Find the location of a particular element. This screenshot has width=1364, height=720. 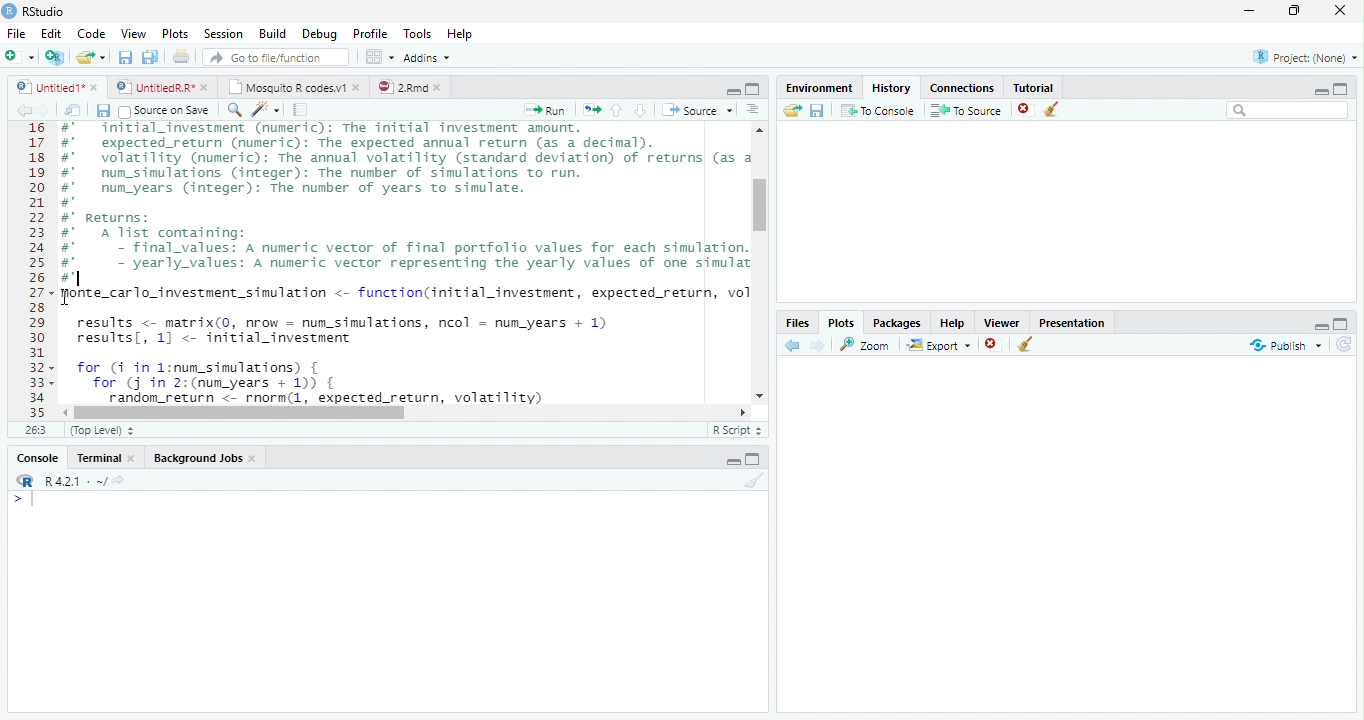

Go to file/function is located at coordinates (274, 57).